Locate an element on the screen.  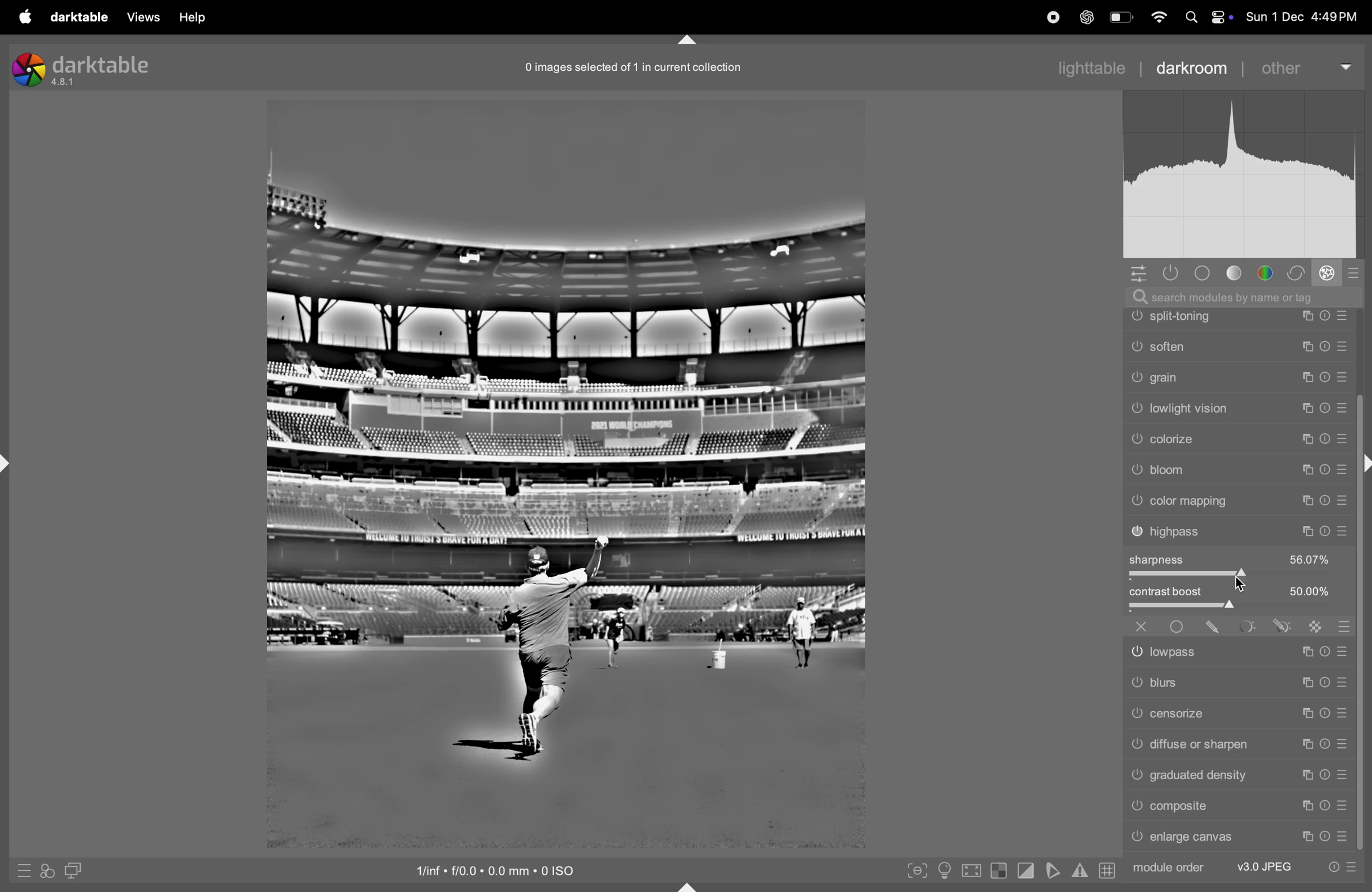
scrolling is located at coordinates (1238, 409).